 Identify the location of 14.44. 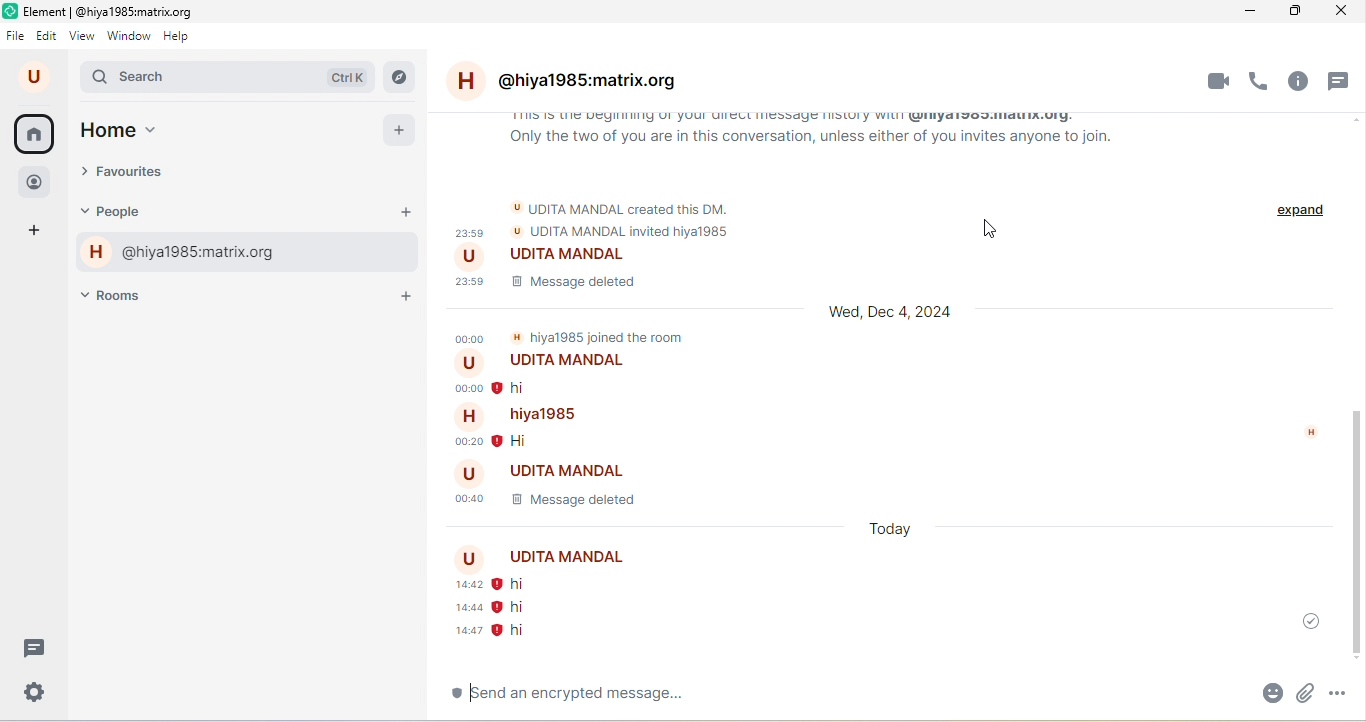
(460, 608).